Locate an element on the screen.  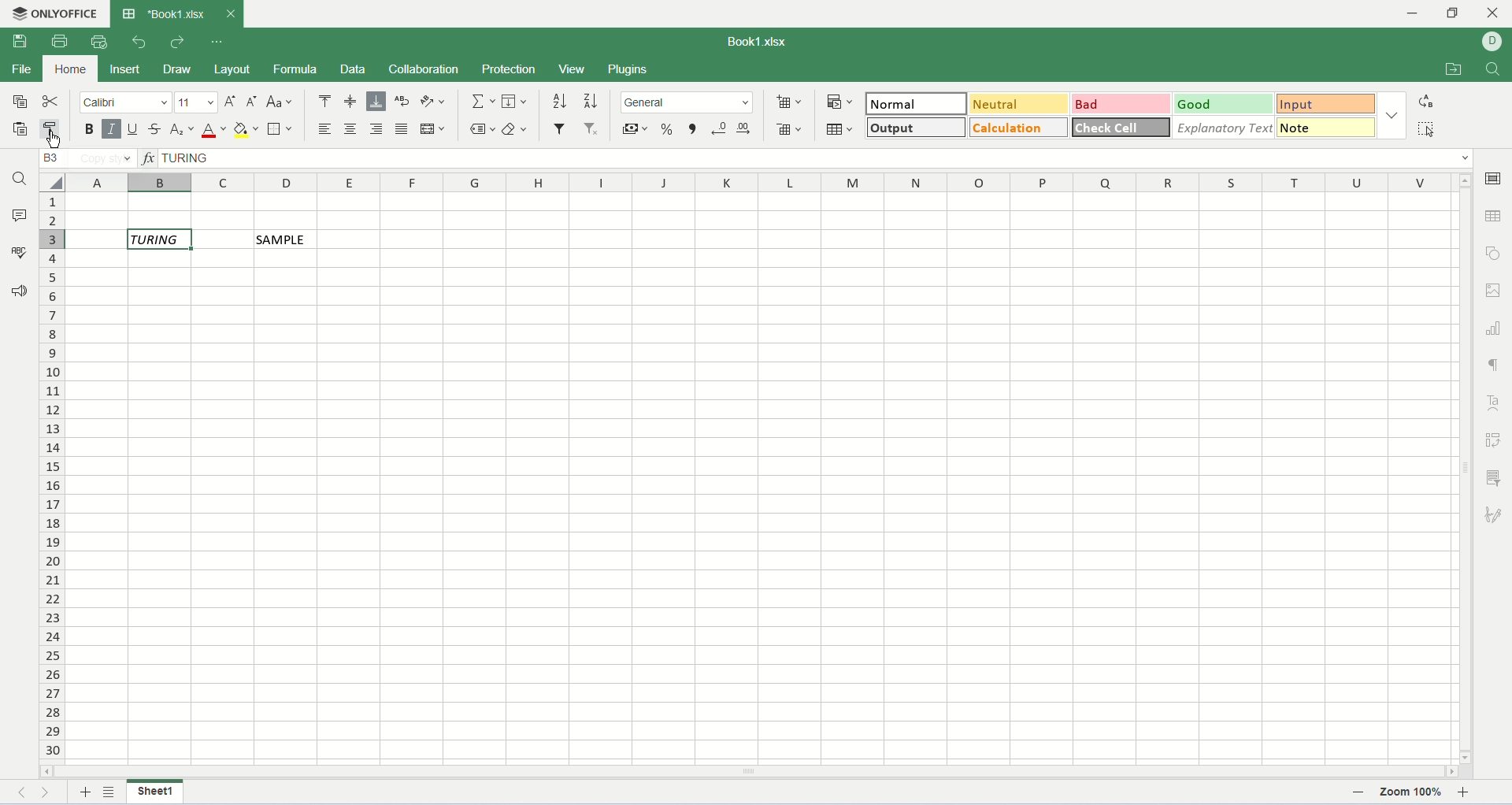
feedback and support is located at coordinates (20, 295).